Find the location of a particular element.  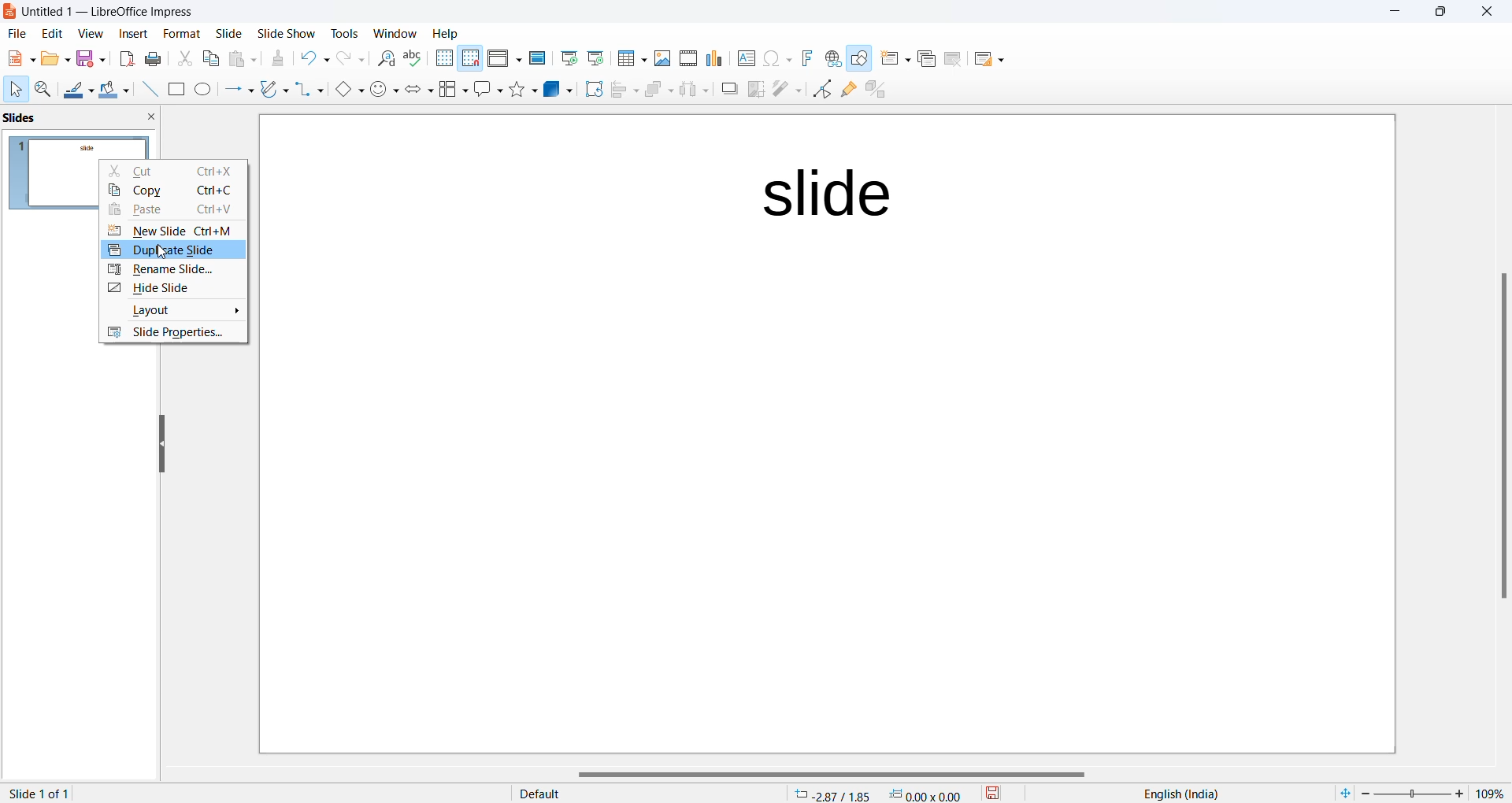

Cut is located at coordinates (183, 57).